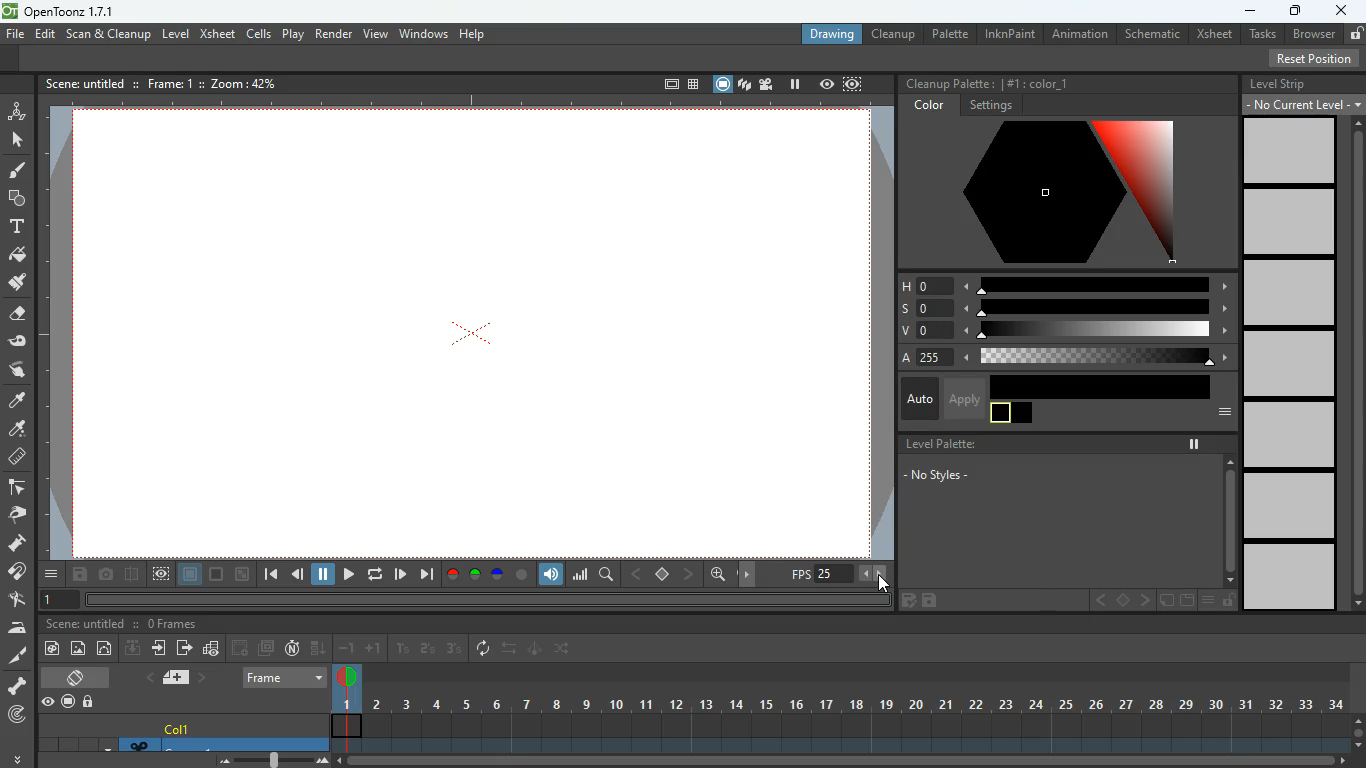  What do you see at coordinates (690, 573) in the screenshot?
I see `right` at bounding box center [690, 573].